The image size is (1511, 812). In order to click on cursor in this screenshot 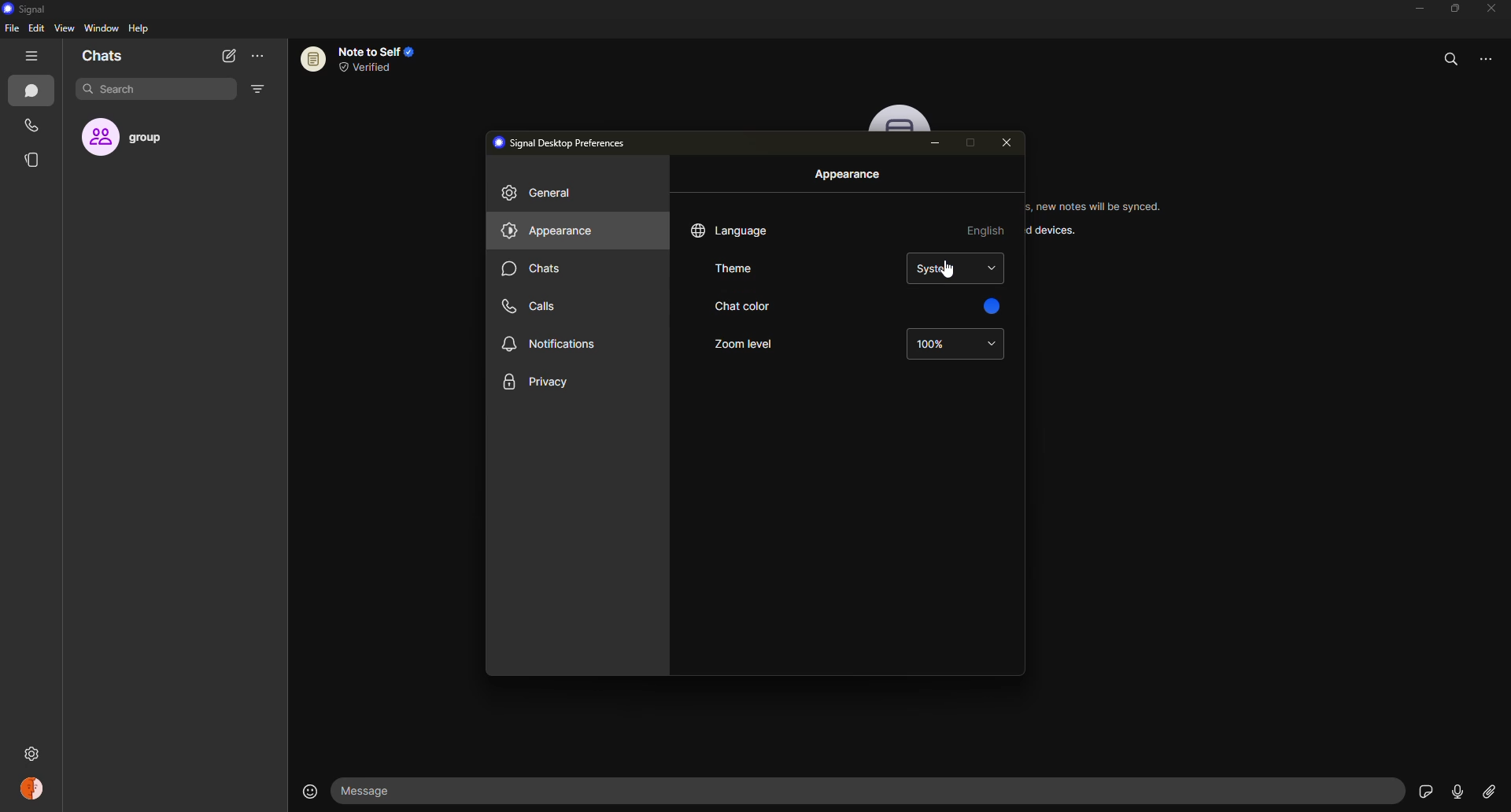, I will do `click(943, 275)`.